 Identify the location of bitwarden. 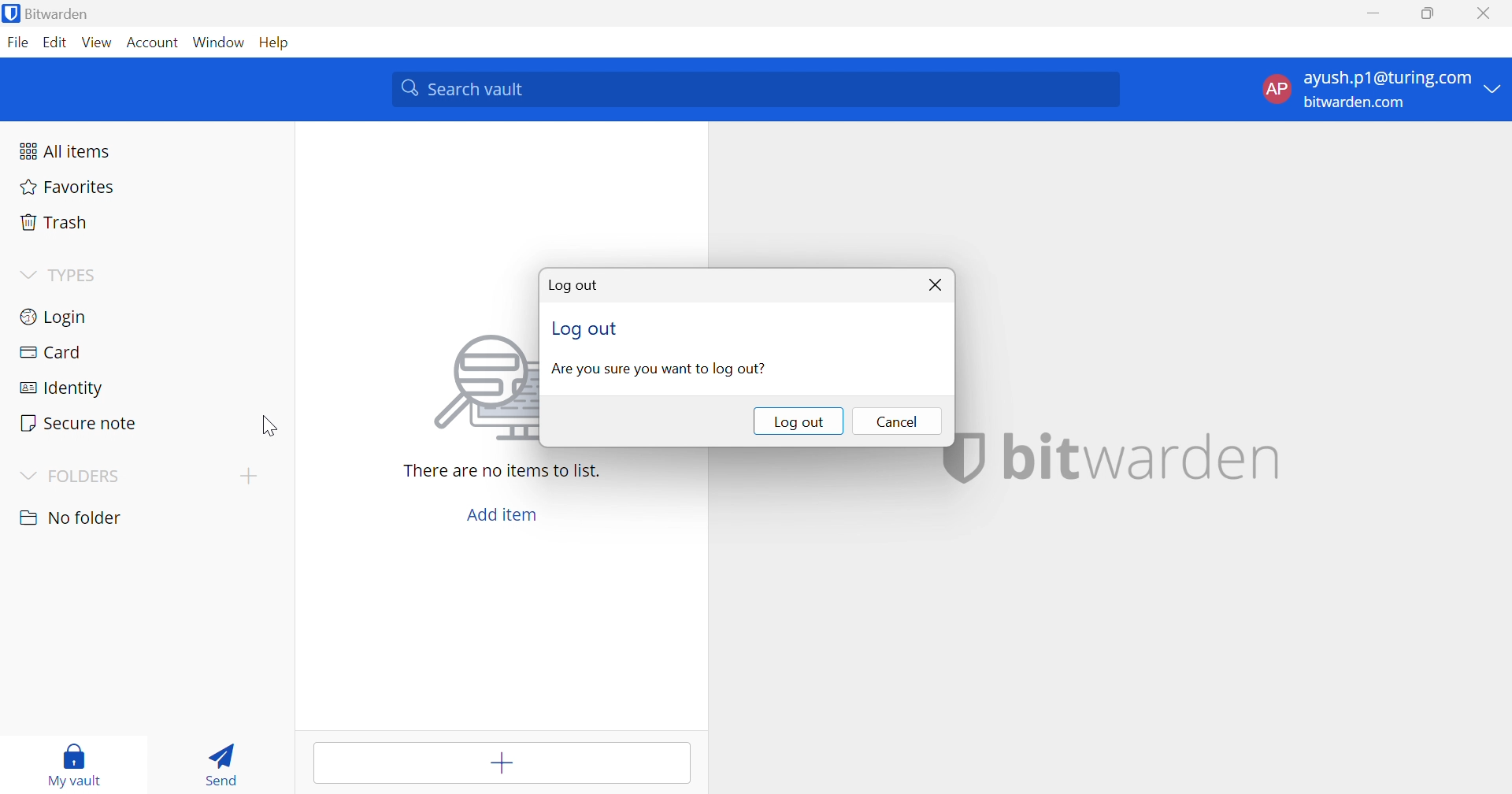
(1144, 456).